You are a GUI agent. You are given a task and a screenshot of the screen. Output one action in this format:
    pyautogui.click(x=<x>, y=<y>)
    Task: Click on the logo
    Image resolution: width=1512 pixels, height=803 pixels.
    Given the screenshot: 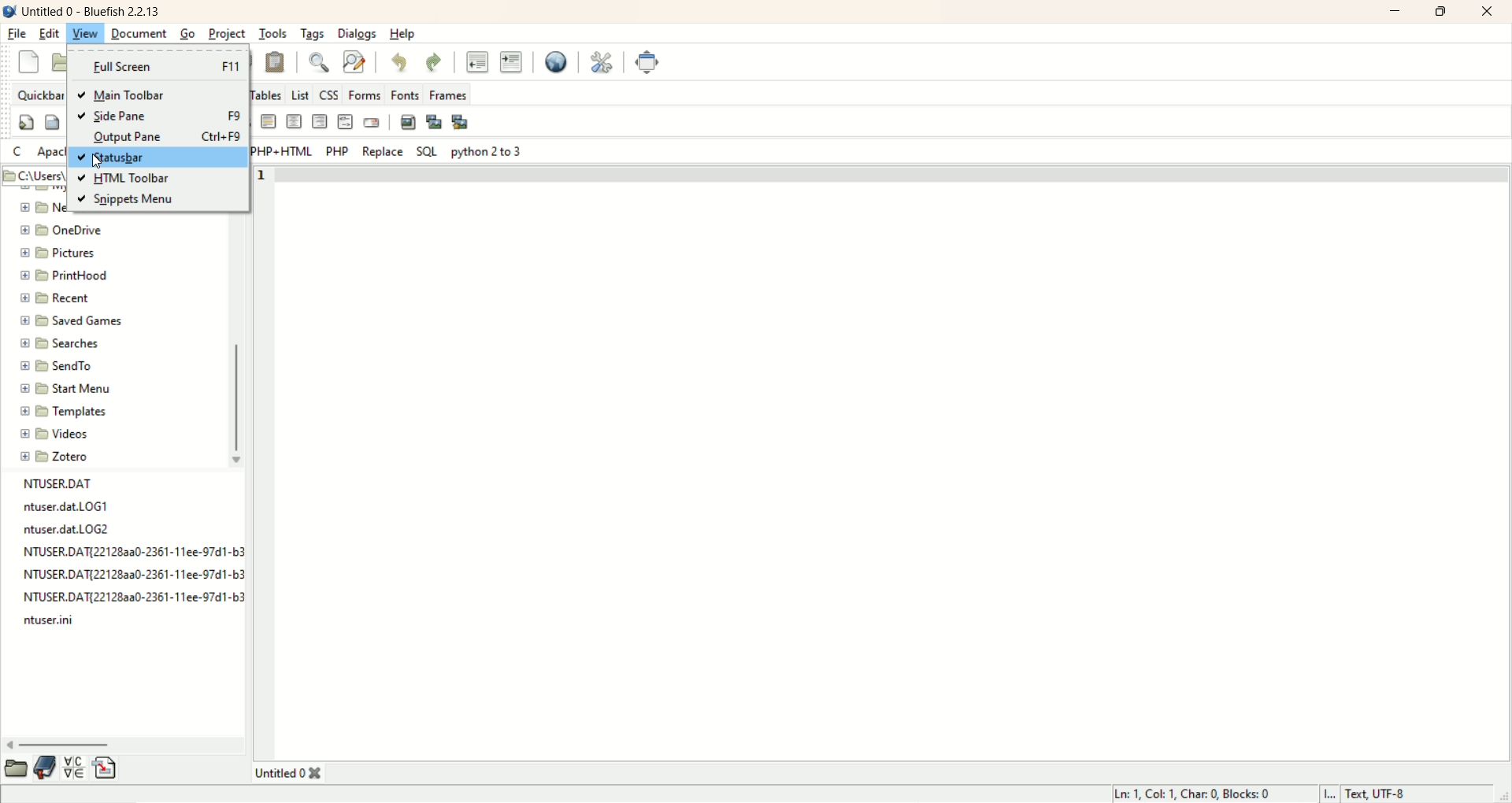 What is the action you would take?
    pyautogui.click(x=9, y=11)
    